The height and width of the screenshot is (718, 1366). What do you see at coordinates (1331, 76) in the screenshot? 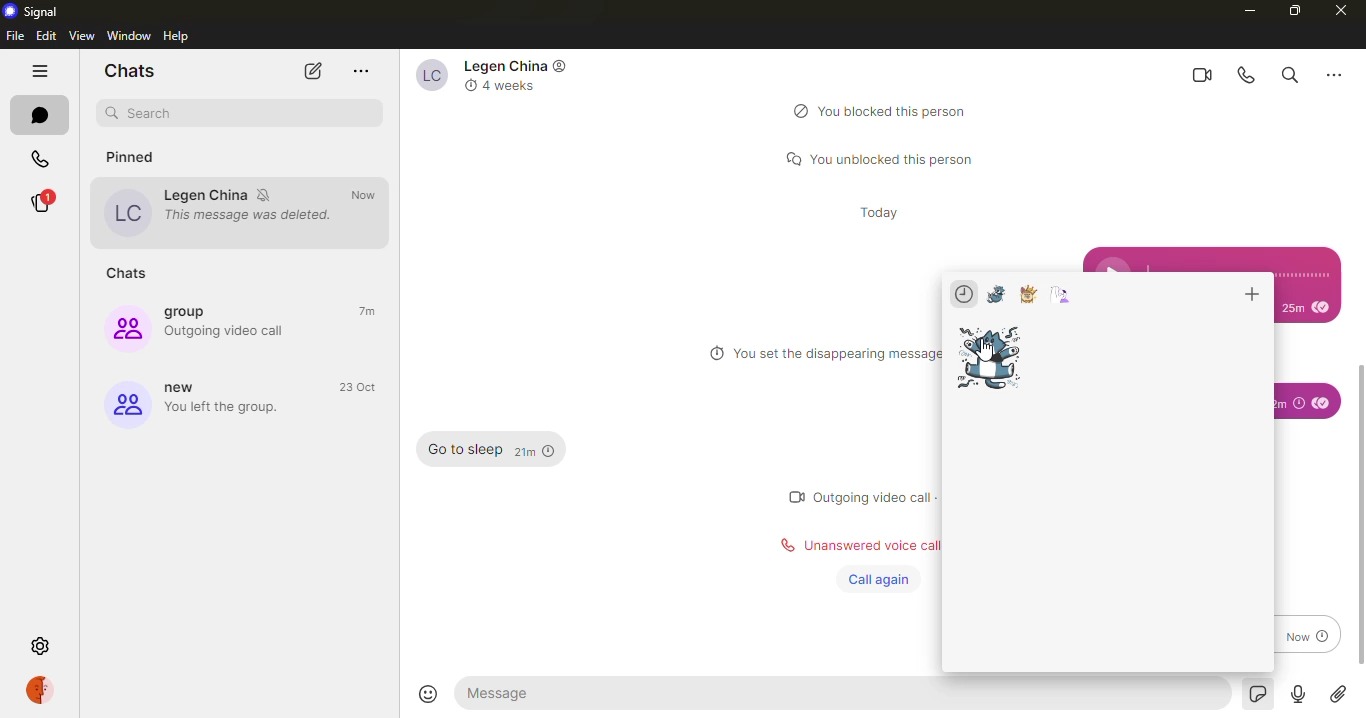
I see `` at bounding box center [1331, 76].